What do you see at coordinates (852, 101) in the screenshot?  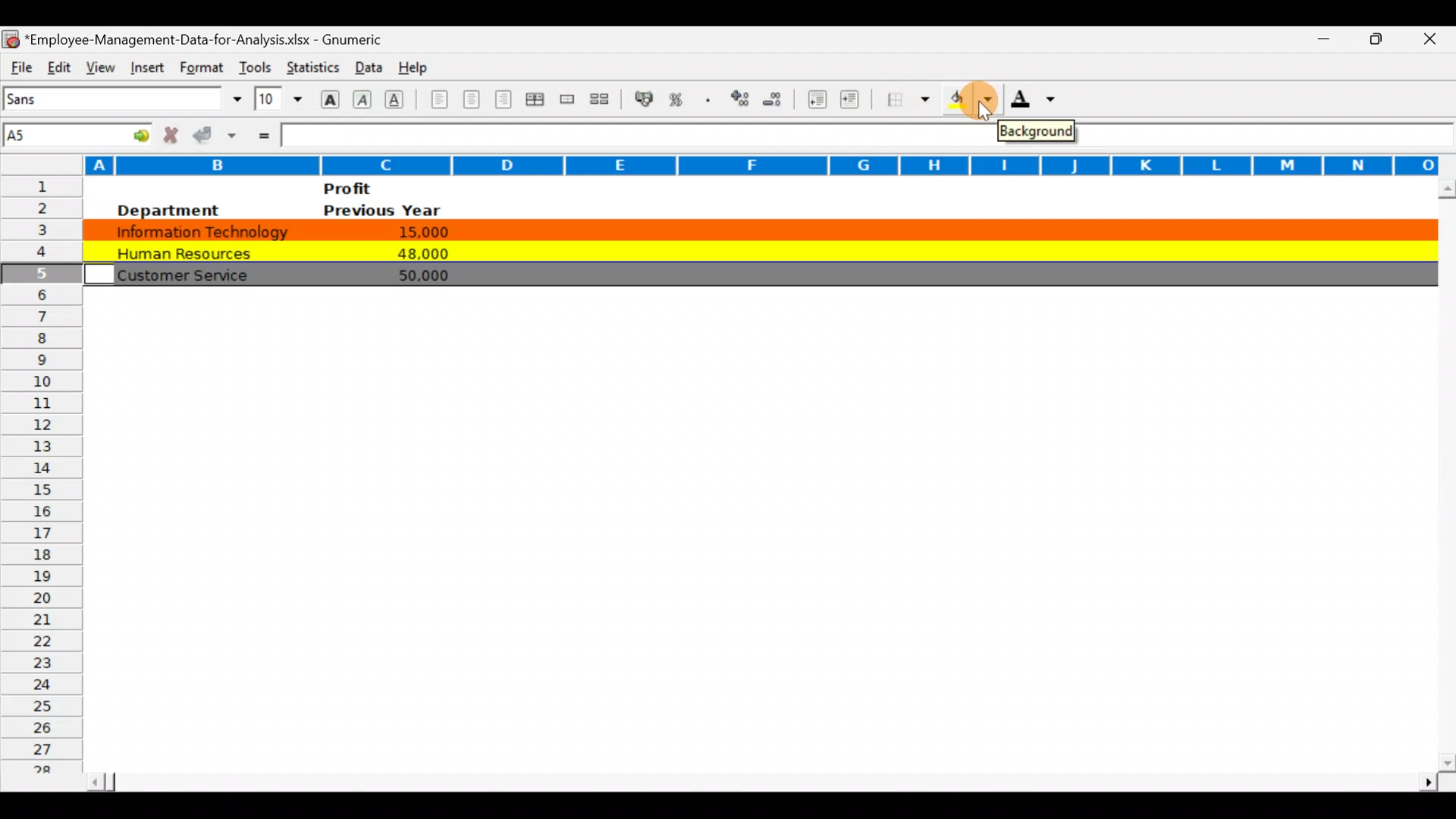 I see `Increase indent, align contents to the right` at bounding box center [852, 101].